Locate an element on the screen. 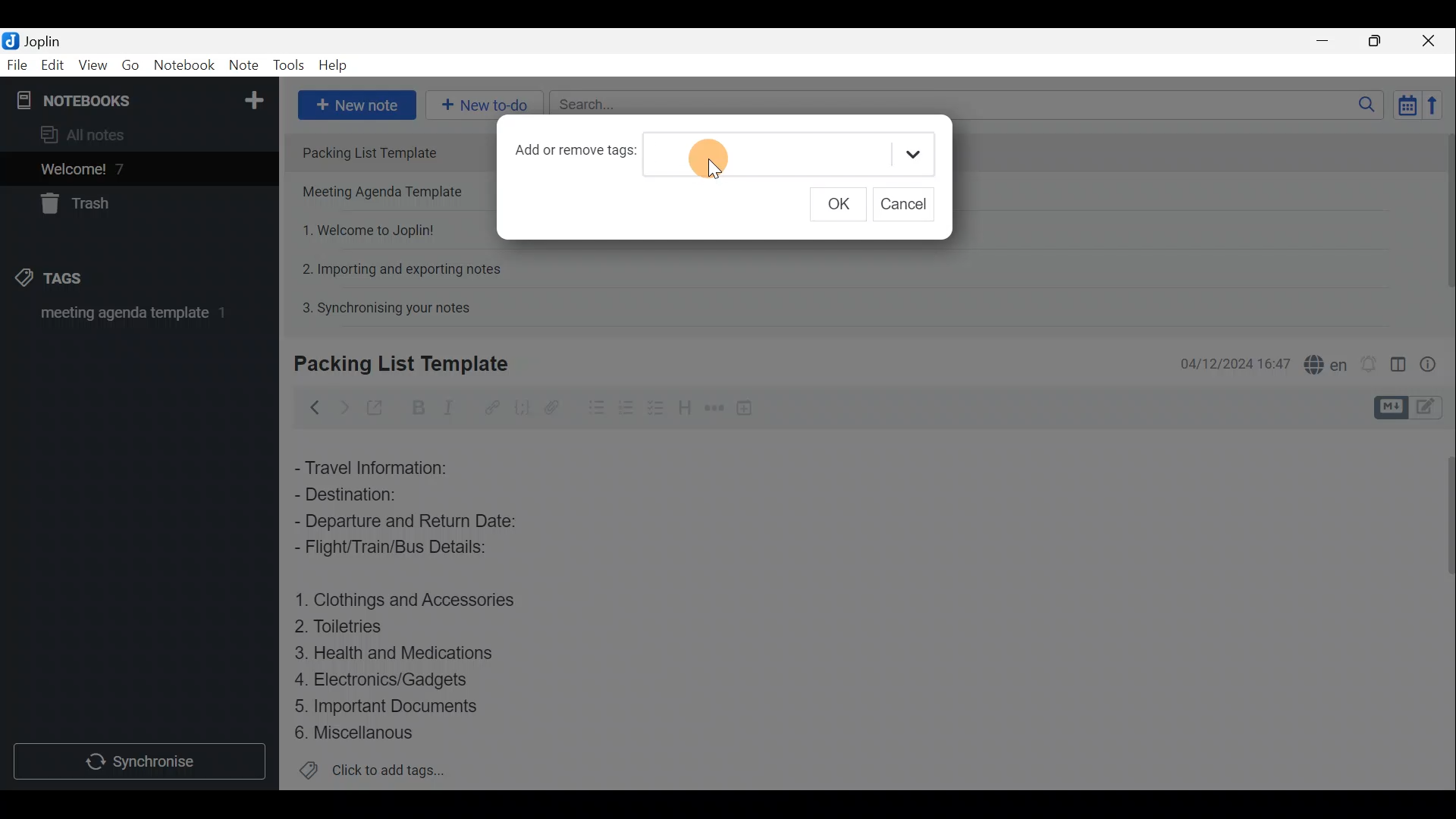 Image resolution: width=1456 pixels, height=819 pixels. Trash is located at coordinates (81, 206).